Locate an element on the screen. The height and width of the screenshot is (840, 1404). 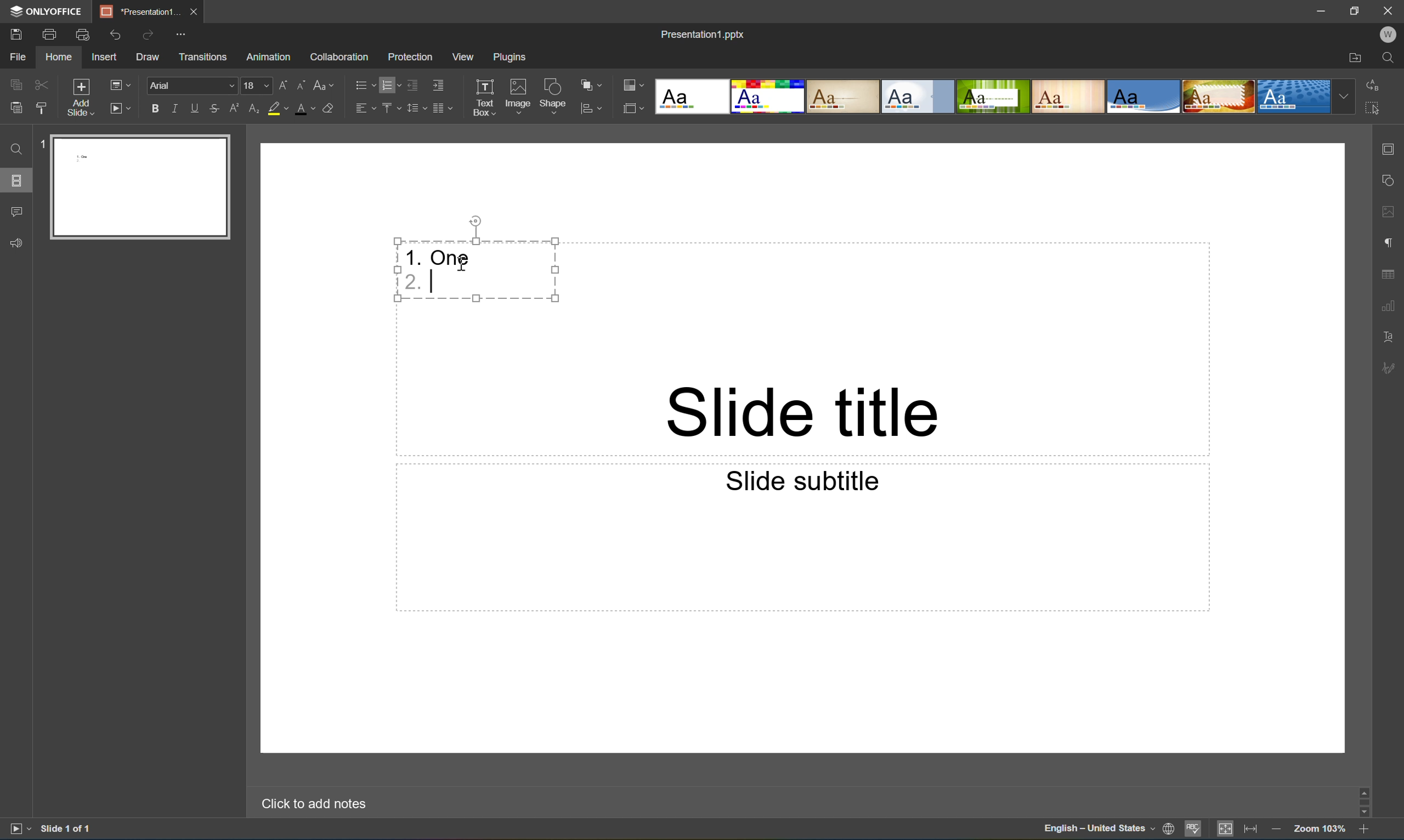
1. is located at coordinates (413, 256).